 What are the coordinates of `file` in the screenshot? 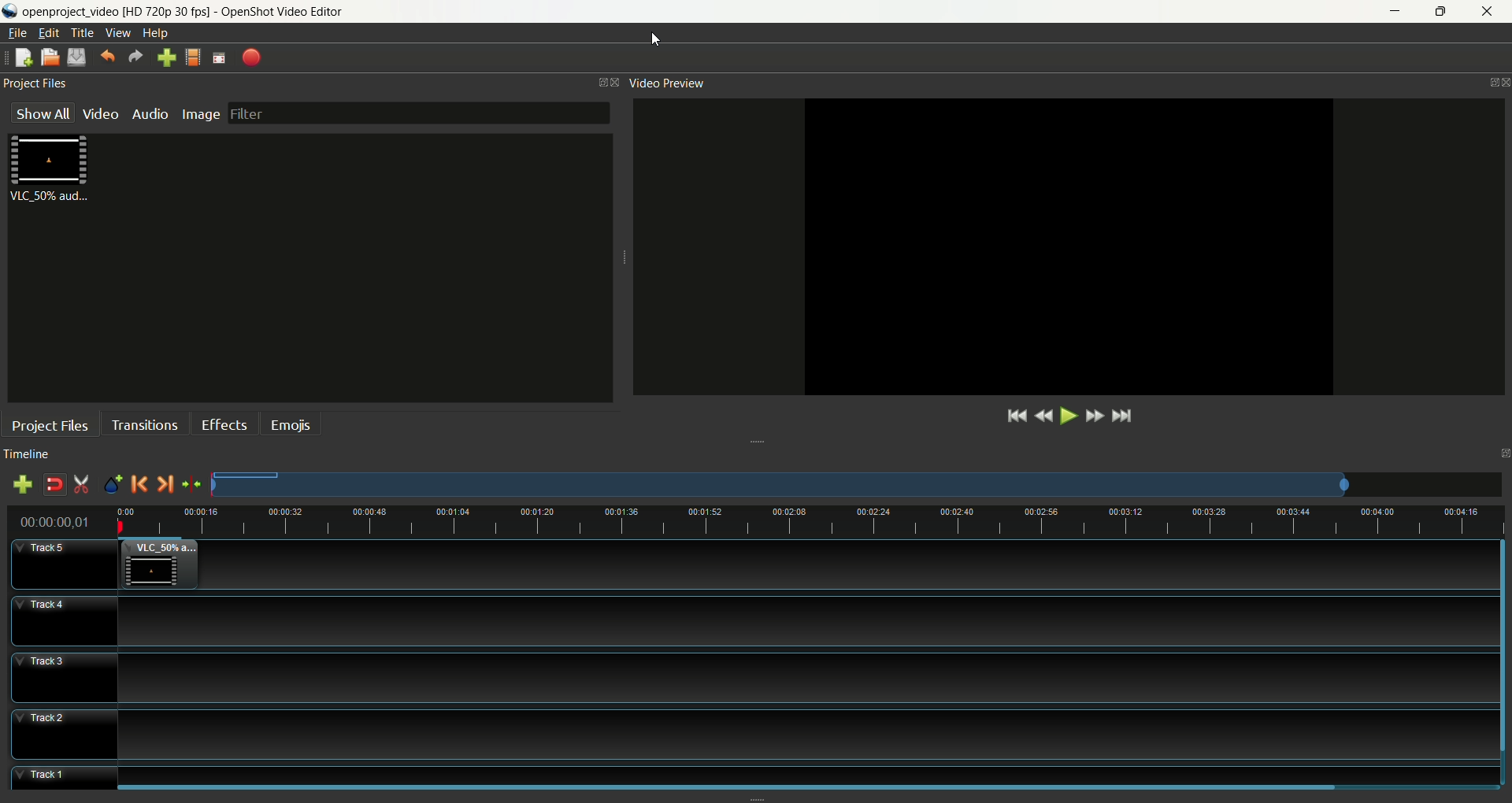 It's located at (19, 32).